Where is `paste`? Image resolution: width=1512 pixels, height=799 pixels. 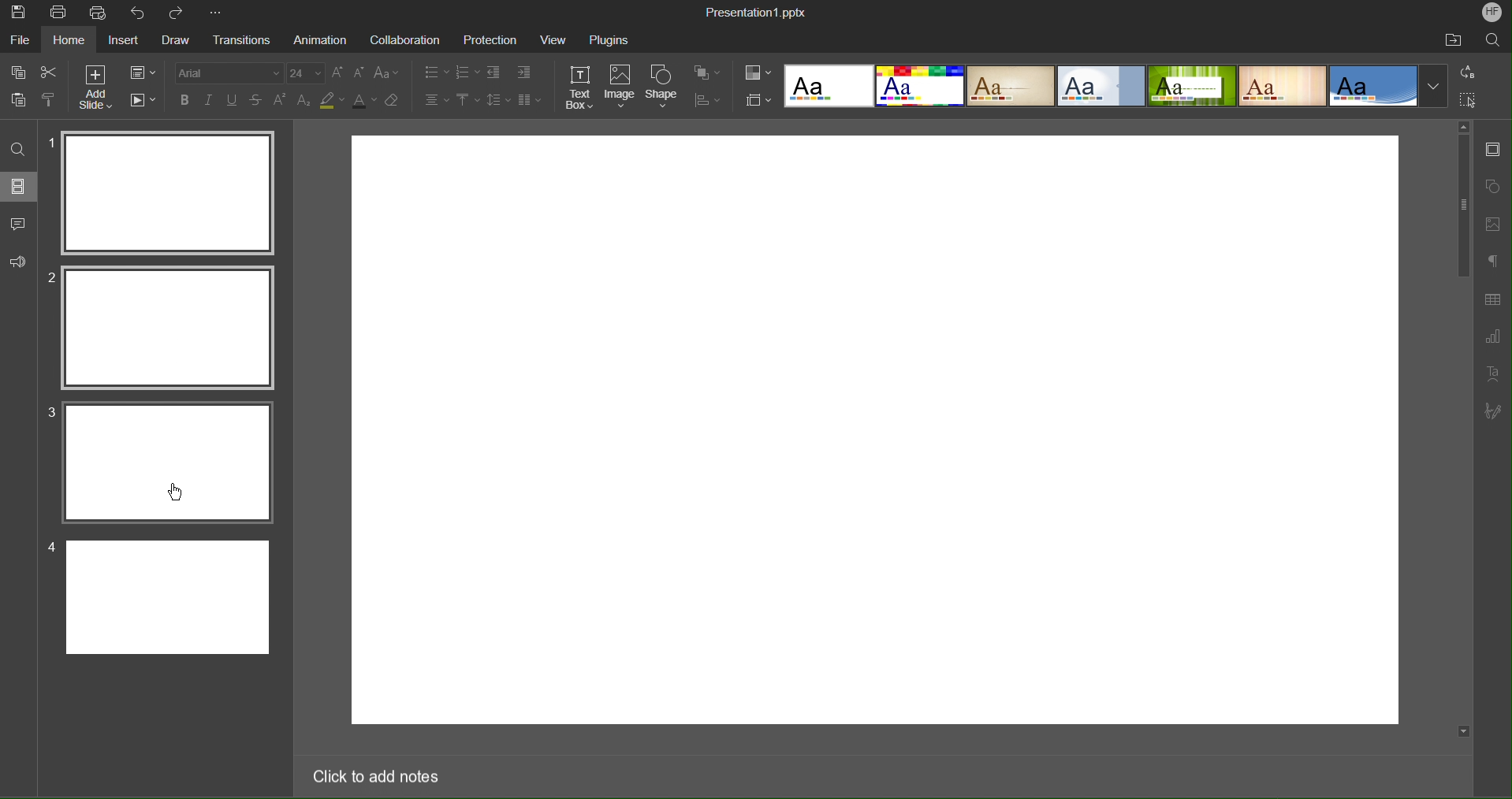 paste is located at coordinates (22, 101).